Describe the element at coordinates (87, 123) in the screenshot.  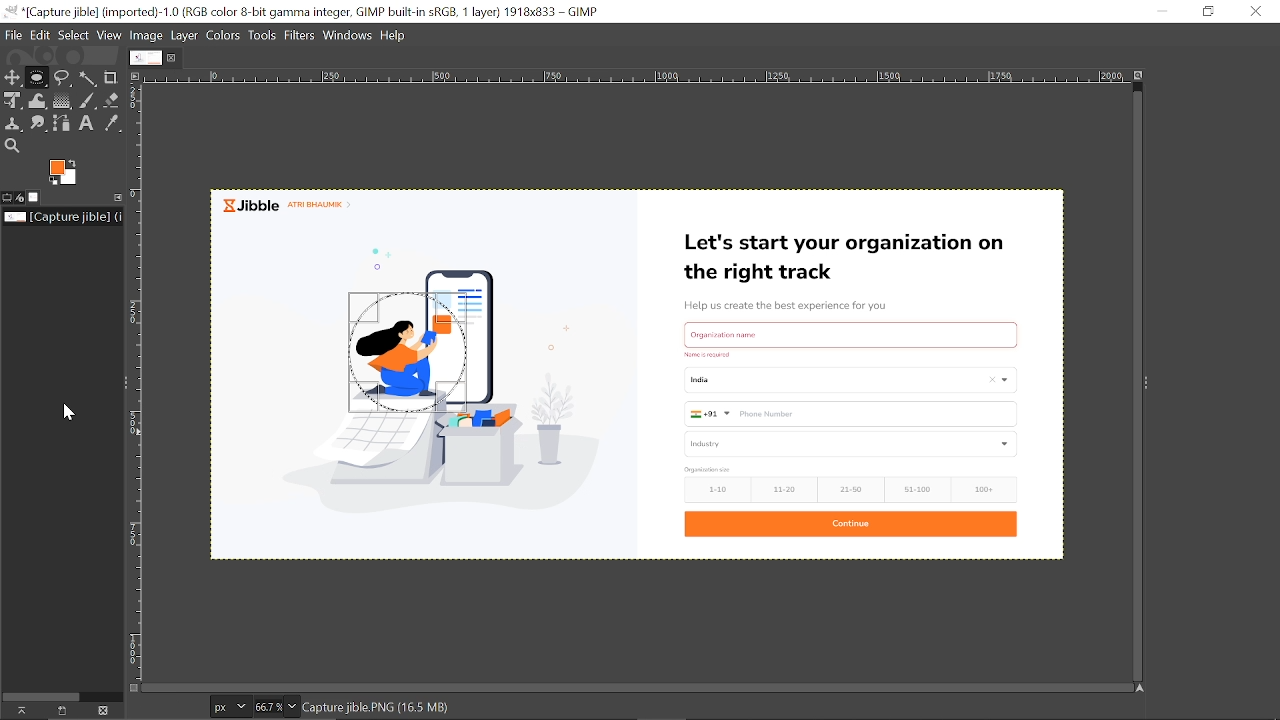
I see `Text tool` at that location.